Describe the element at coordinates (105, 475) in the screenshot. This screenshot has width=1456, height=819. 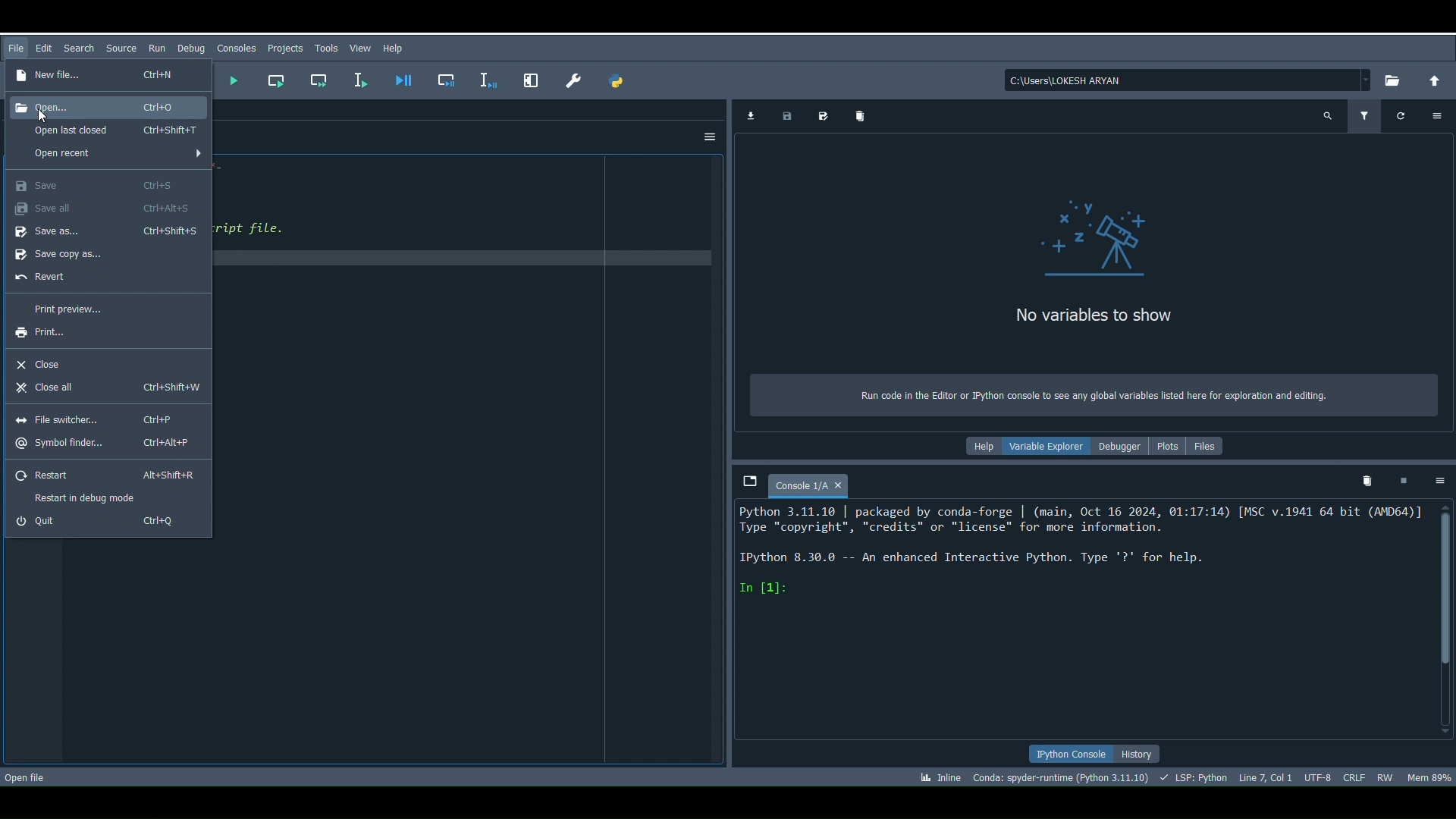
I see `Revert` at that location.